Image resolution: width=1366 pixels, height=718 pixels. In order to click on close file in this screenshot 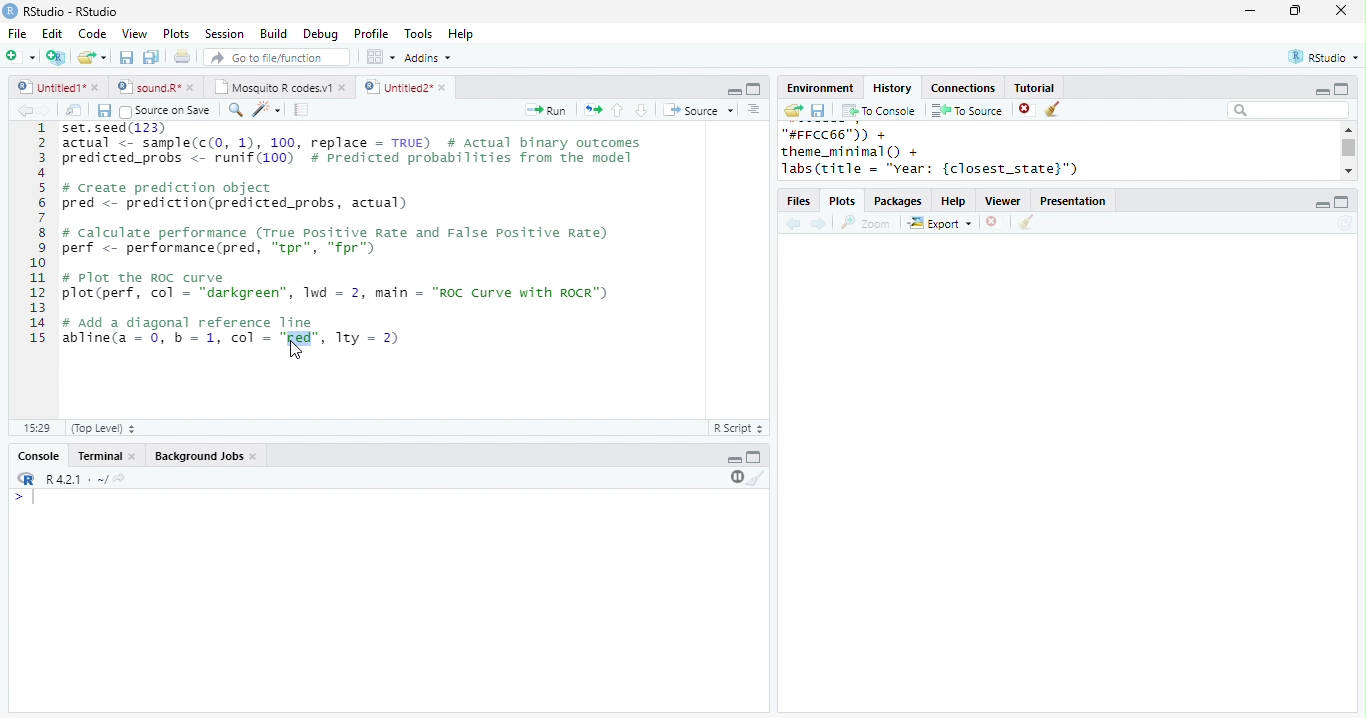, I will do `click(1027, 110)`.